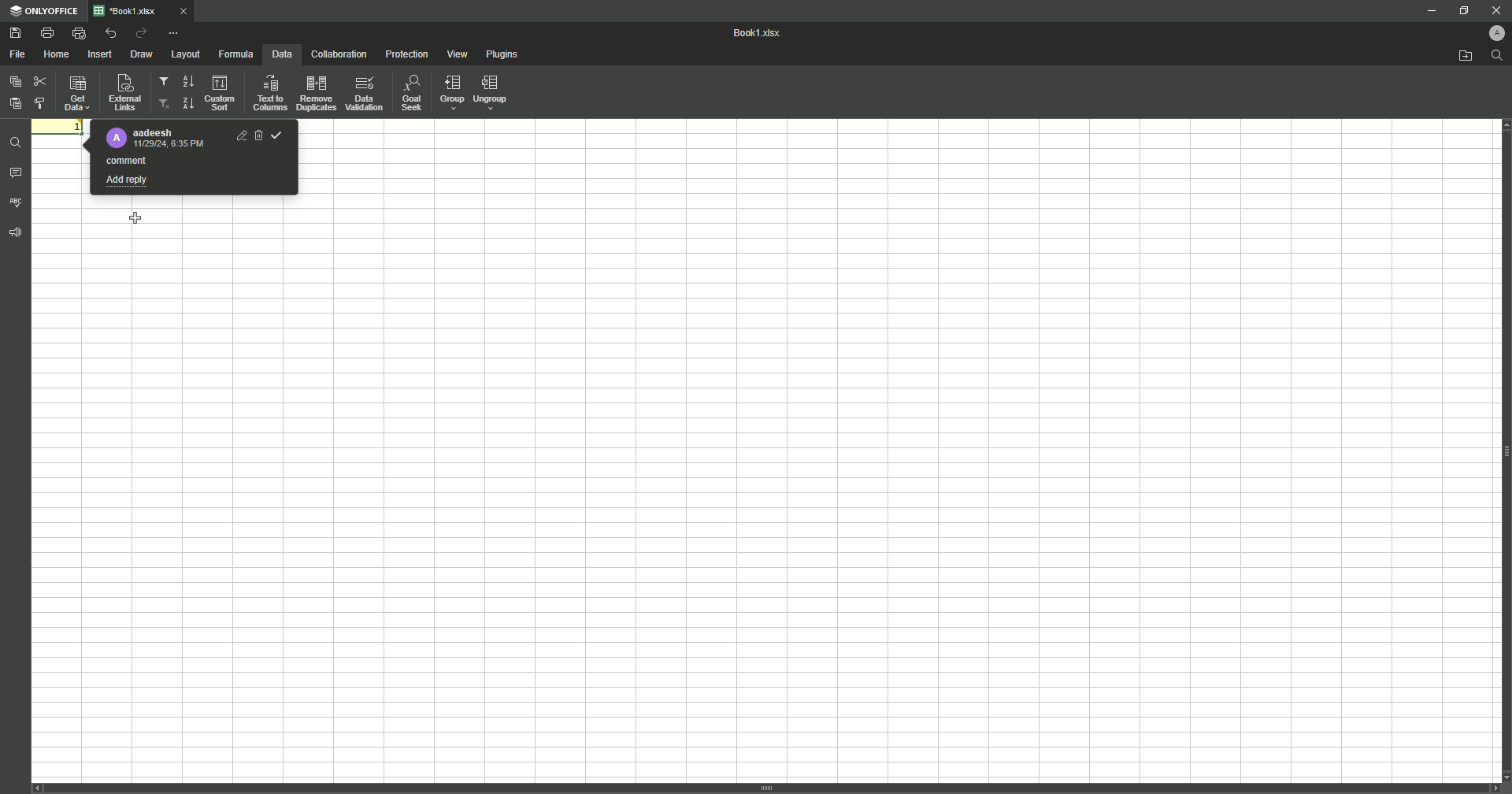 This screenshot has width=1512, height=794. What do you see at coordinates (17, 237) in the screenshot?
I see `Feedback` at bounding box center [17, 237].